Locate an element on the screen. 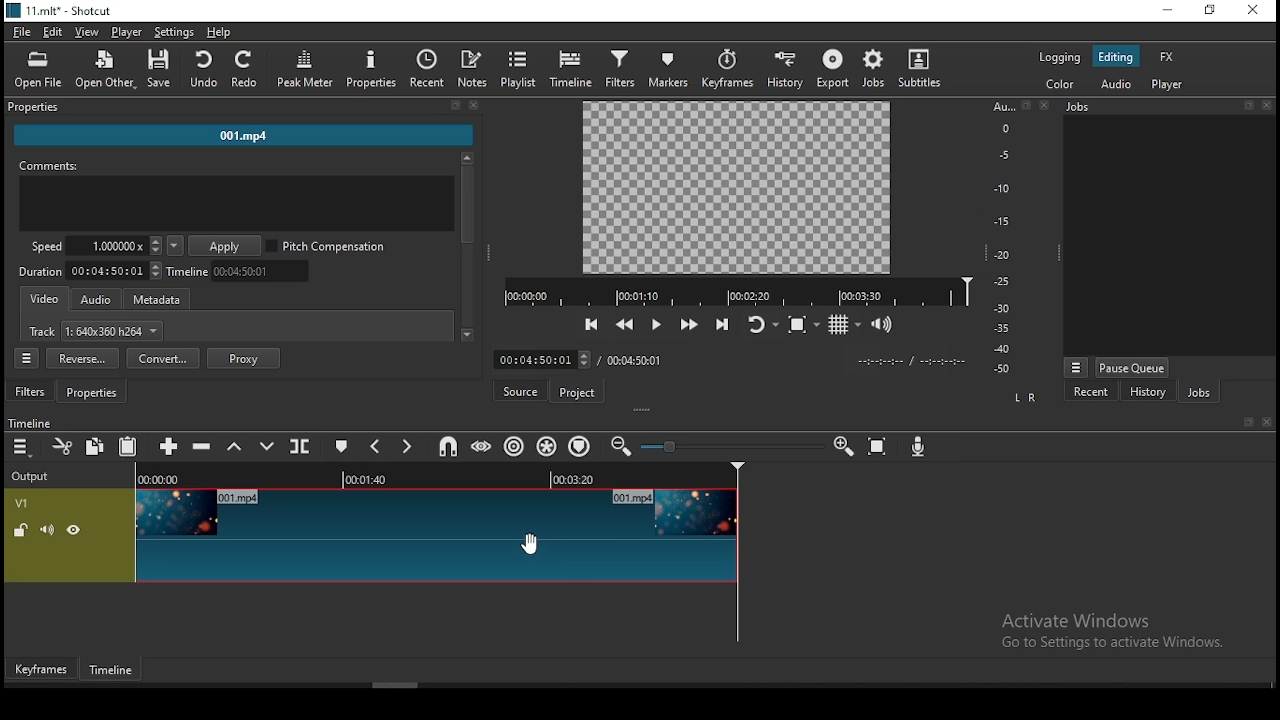 This screenshot has height=720, width=1280. close is located at coordinates (1266, 421).